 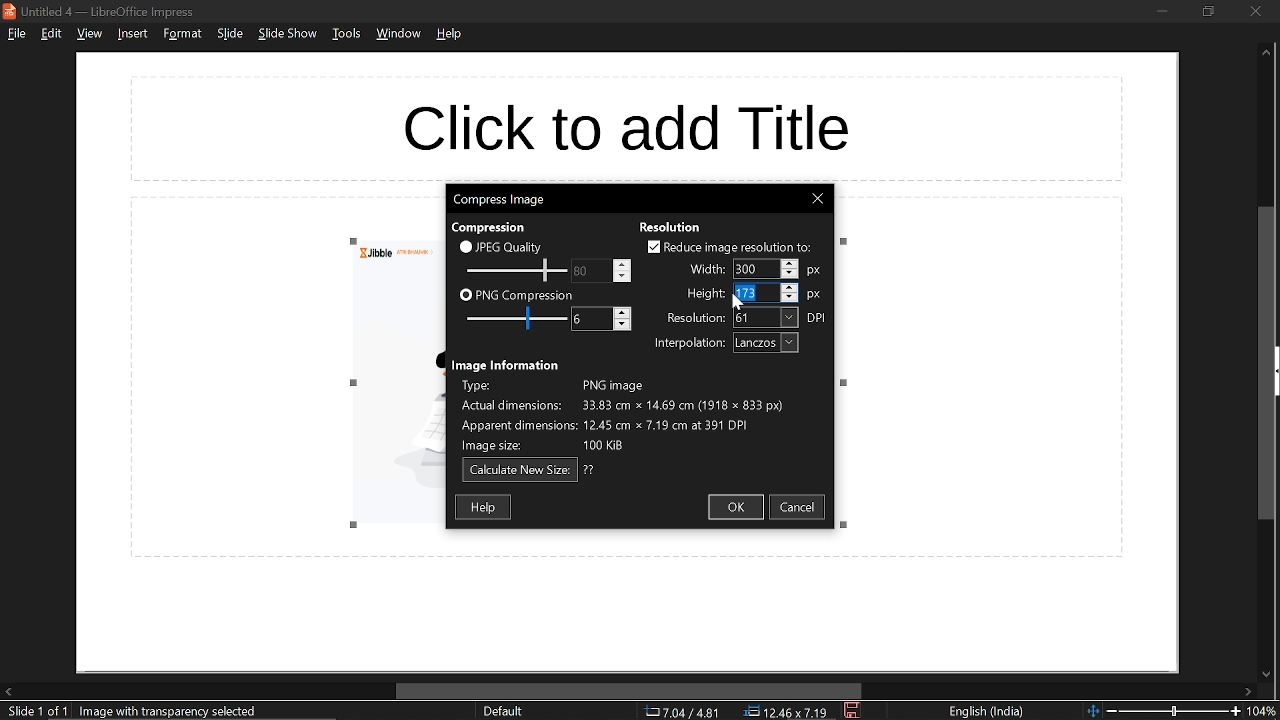 What do you see at coordinates (682, 712) in the screenshot?
I see `co-ordinate` at bounding box center [682, 712].